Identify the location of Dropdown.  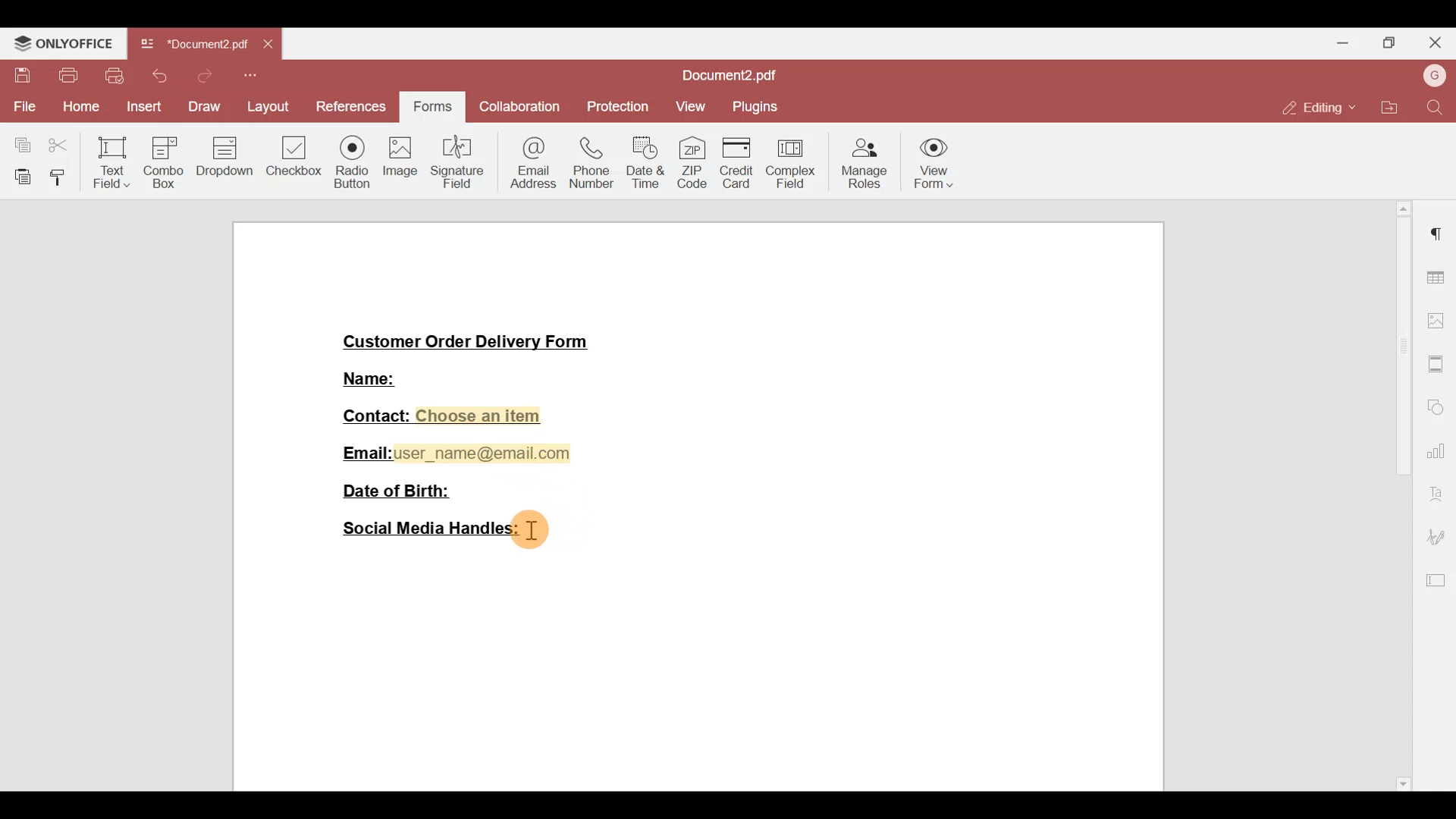
(227, 158).